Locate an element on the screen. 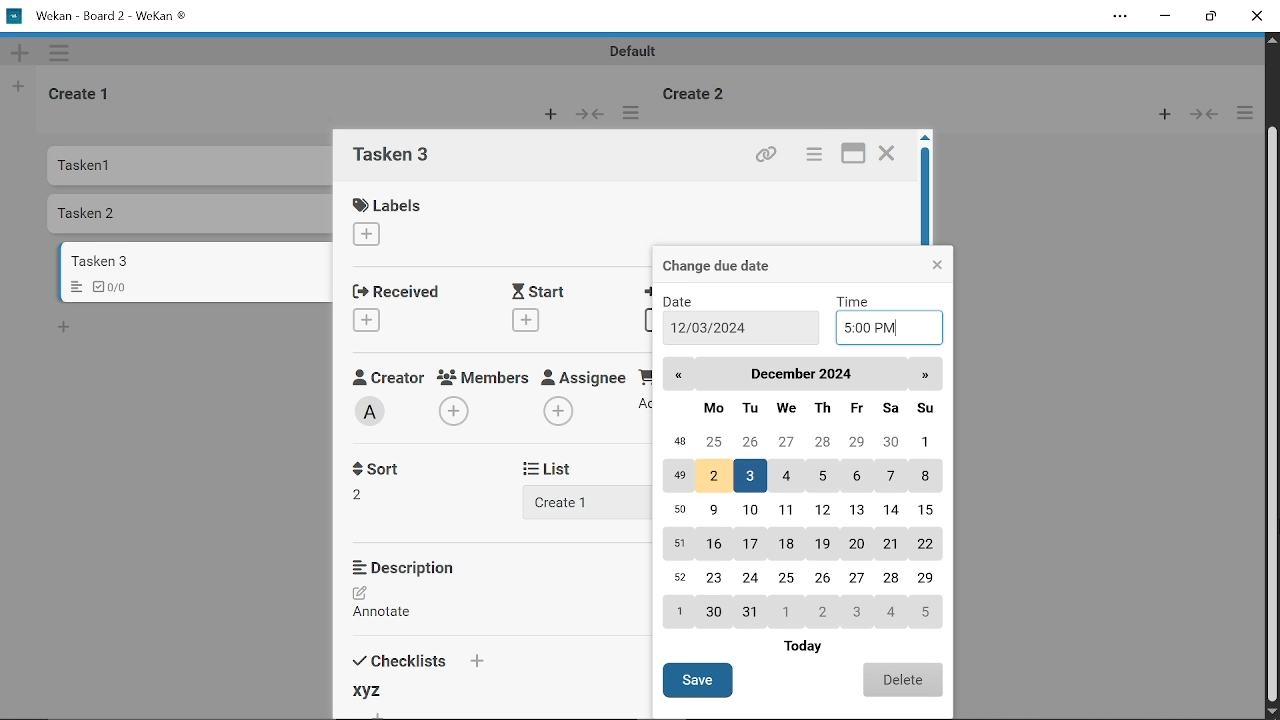 The width and height of the screenshot is (1280, 720). Card titled "Tasken 3" is located at coordinates (198, 260).